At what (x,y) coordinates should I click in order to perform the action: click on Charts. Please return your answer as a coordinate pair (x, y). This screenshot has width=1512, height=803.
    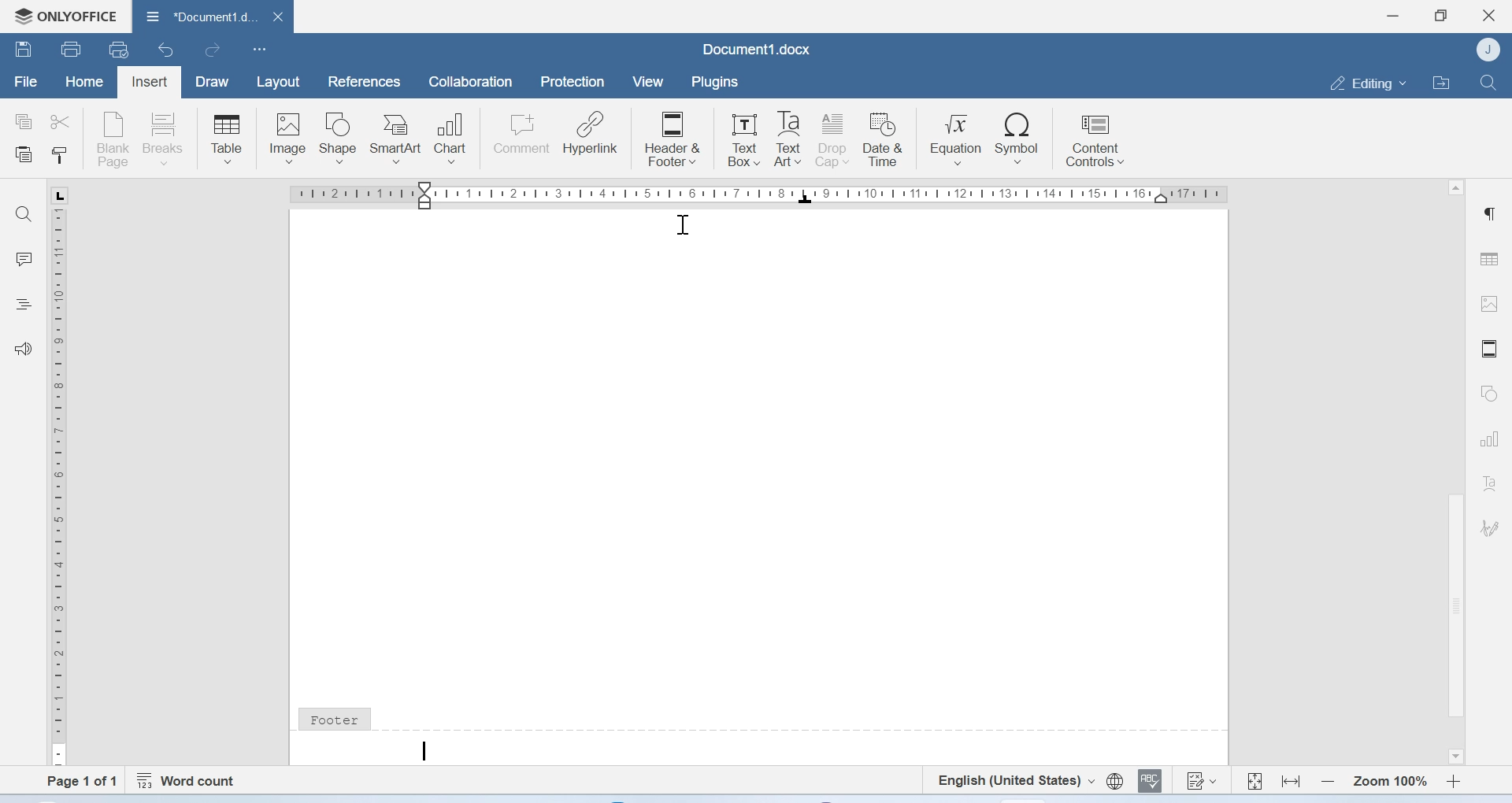
    Looking at the image, I should click on (1488, 440).